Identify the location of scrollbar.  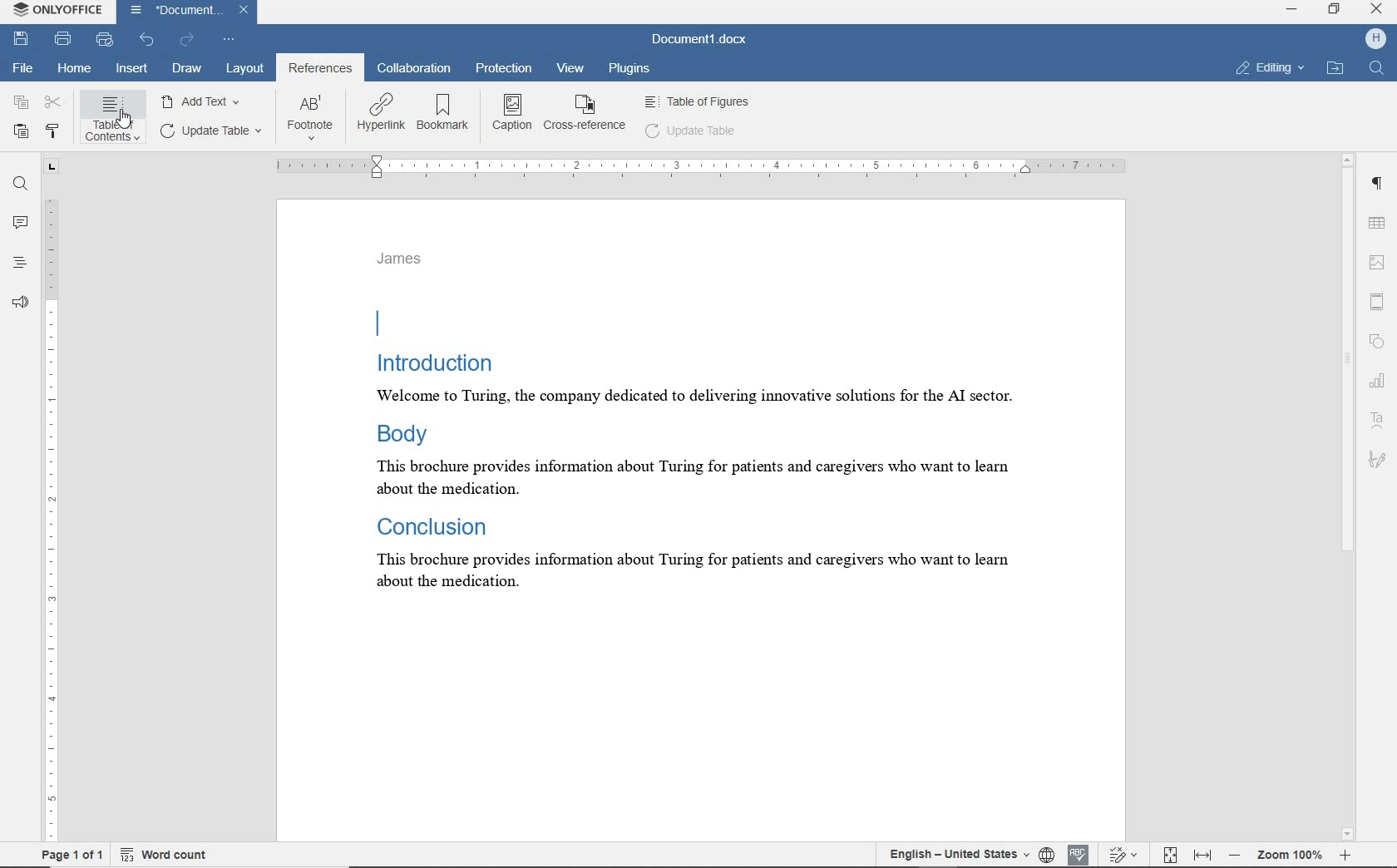
(1350, 496).